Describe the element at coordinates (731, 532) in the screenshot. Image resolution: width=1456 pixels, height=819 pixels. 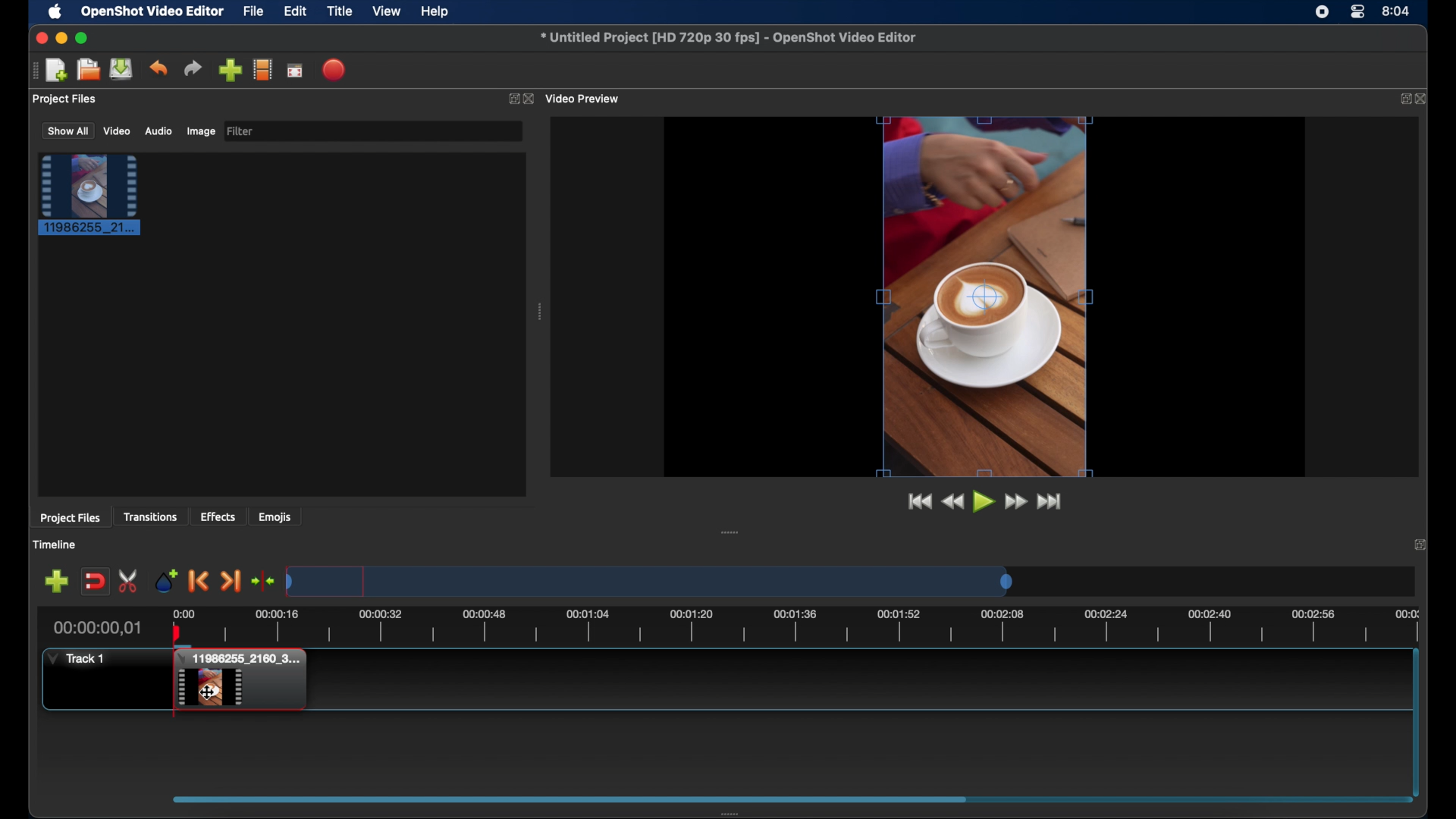
I see `drag handle` at that location.